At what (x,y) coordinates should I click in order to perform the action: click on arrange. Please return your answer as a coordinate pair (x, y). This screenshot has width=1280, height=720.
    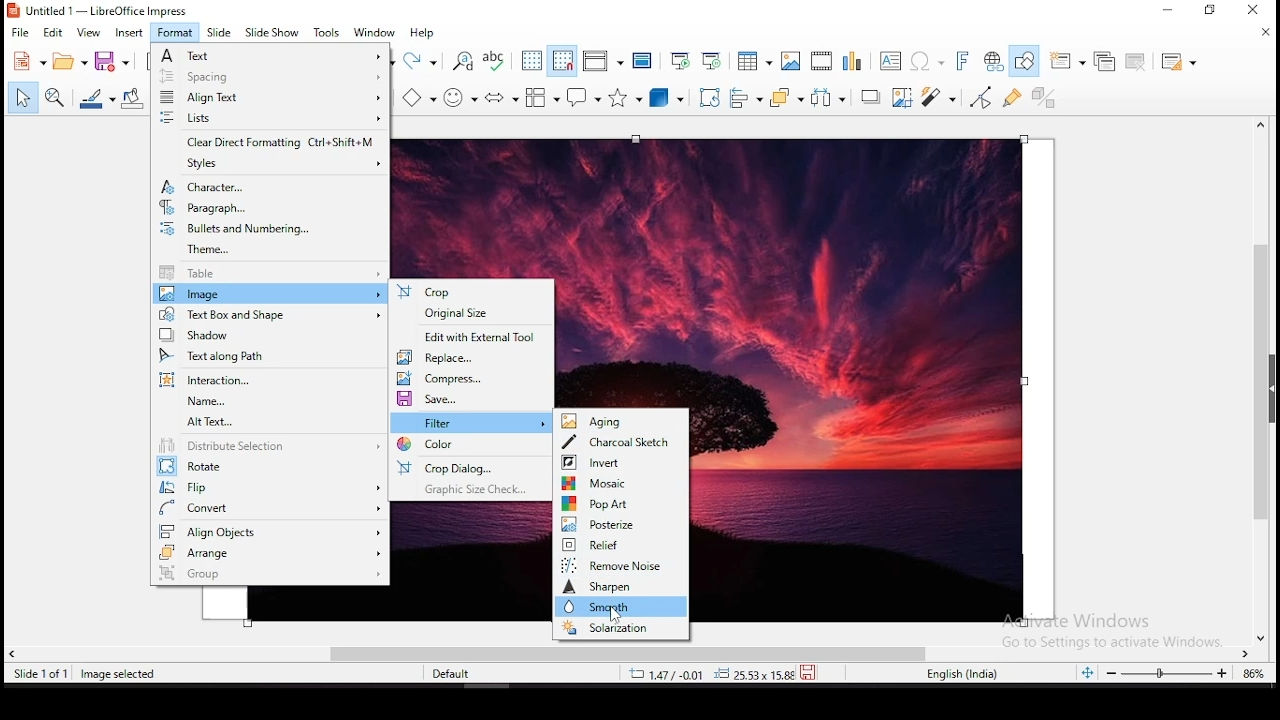
    Looking at the image, I should click on (785, 98).